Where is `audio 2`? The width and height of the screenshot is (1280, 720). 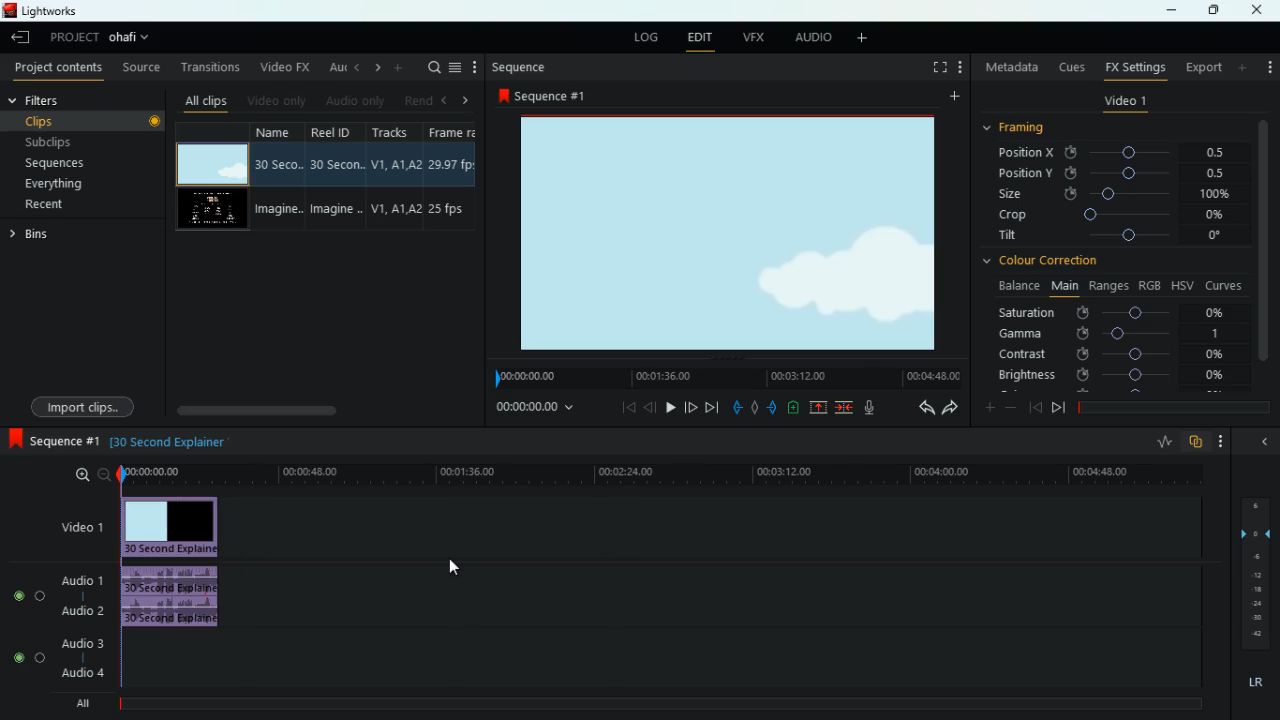
audio 2 is located at coordinates (78, 611).